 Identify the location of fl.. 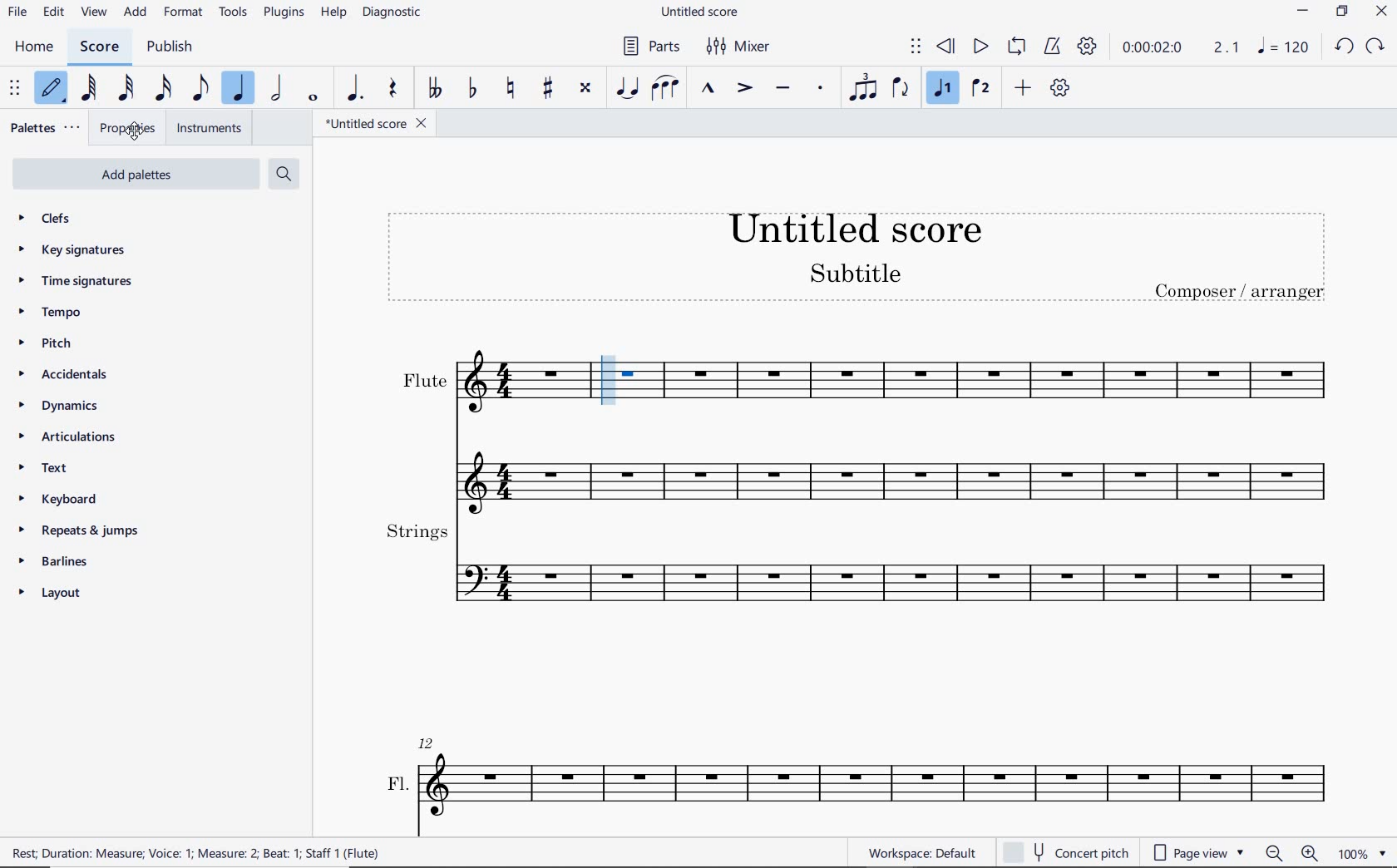
(861, 776).